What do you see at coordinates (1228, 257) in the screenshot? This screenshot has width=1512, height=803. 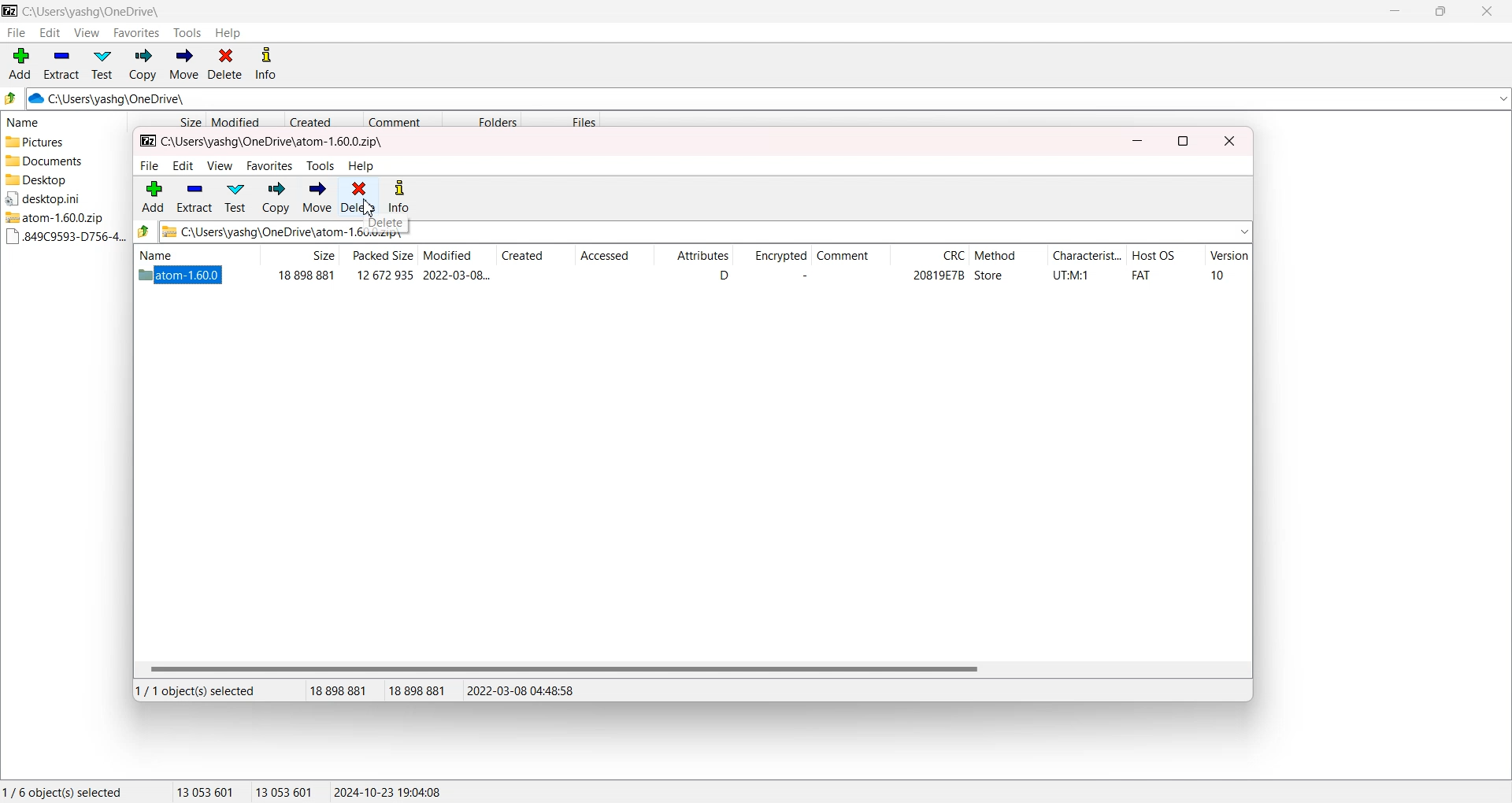 I see `Version` at bounding box center [1228, 257].